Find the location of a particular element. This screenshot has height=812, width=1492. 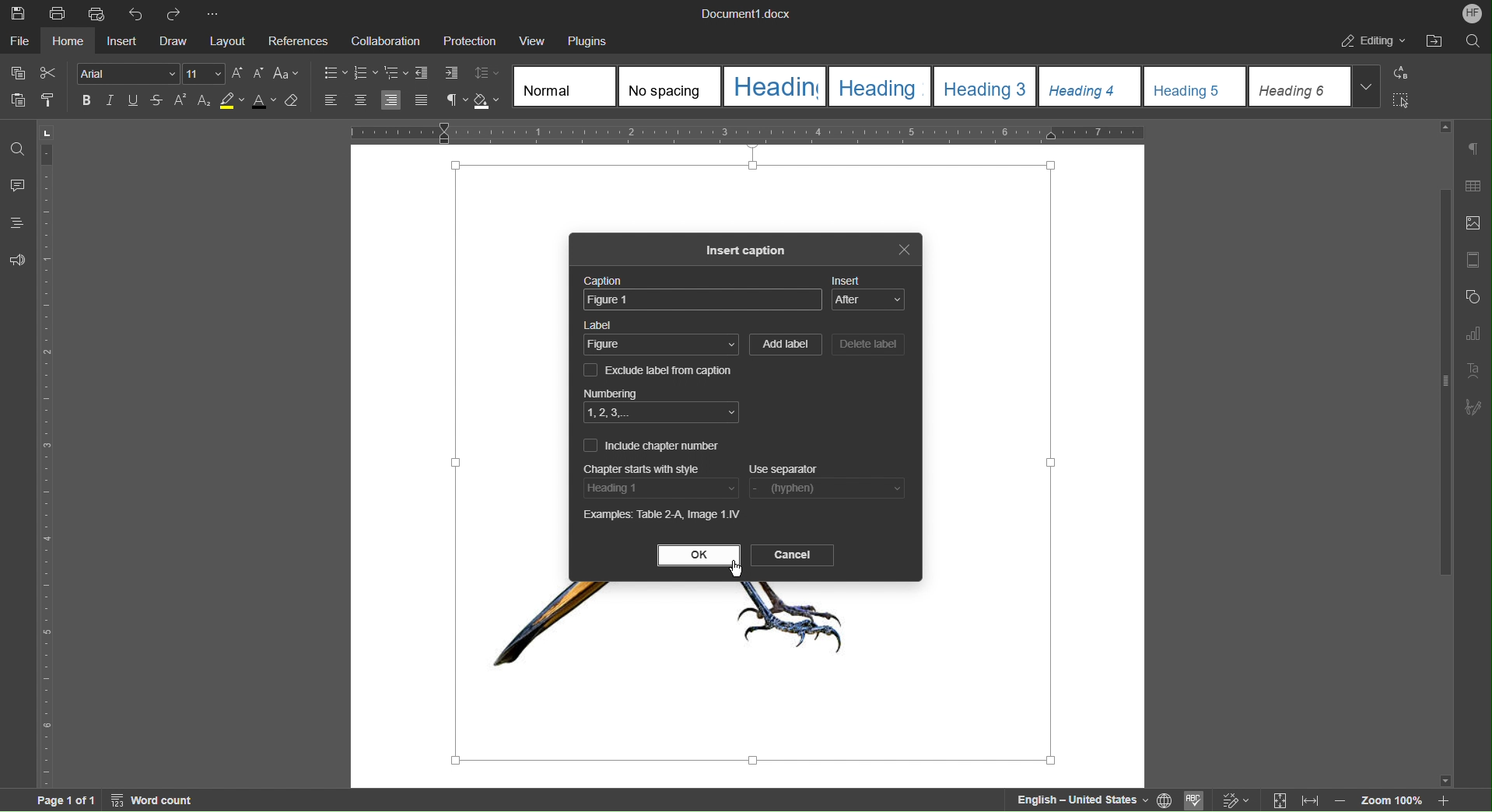

Increase Indent is located at coordinates (451, 75).